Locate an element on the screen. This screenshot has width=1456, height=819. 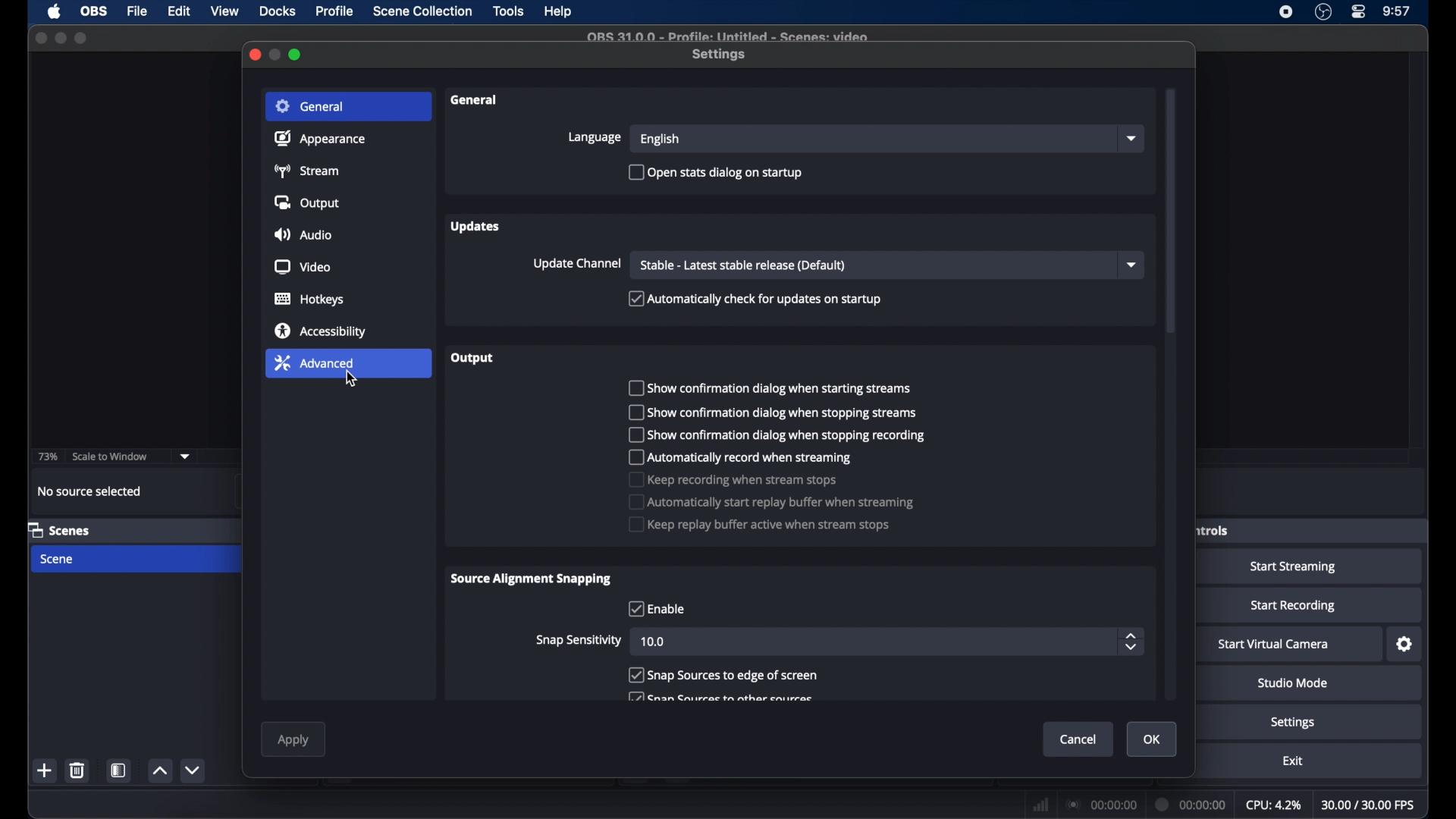
increment is located at coordinates (159, 770).